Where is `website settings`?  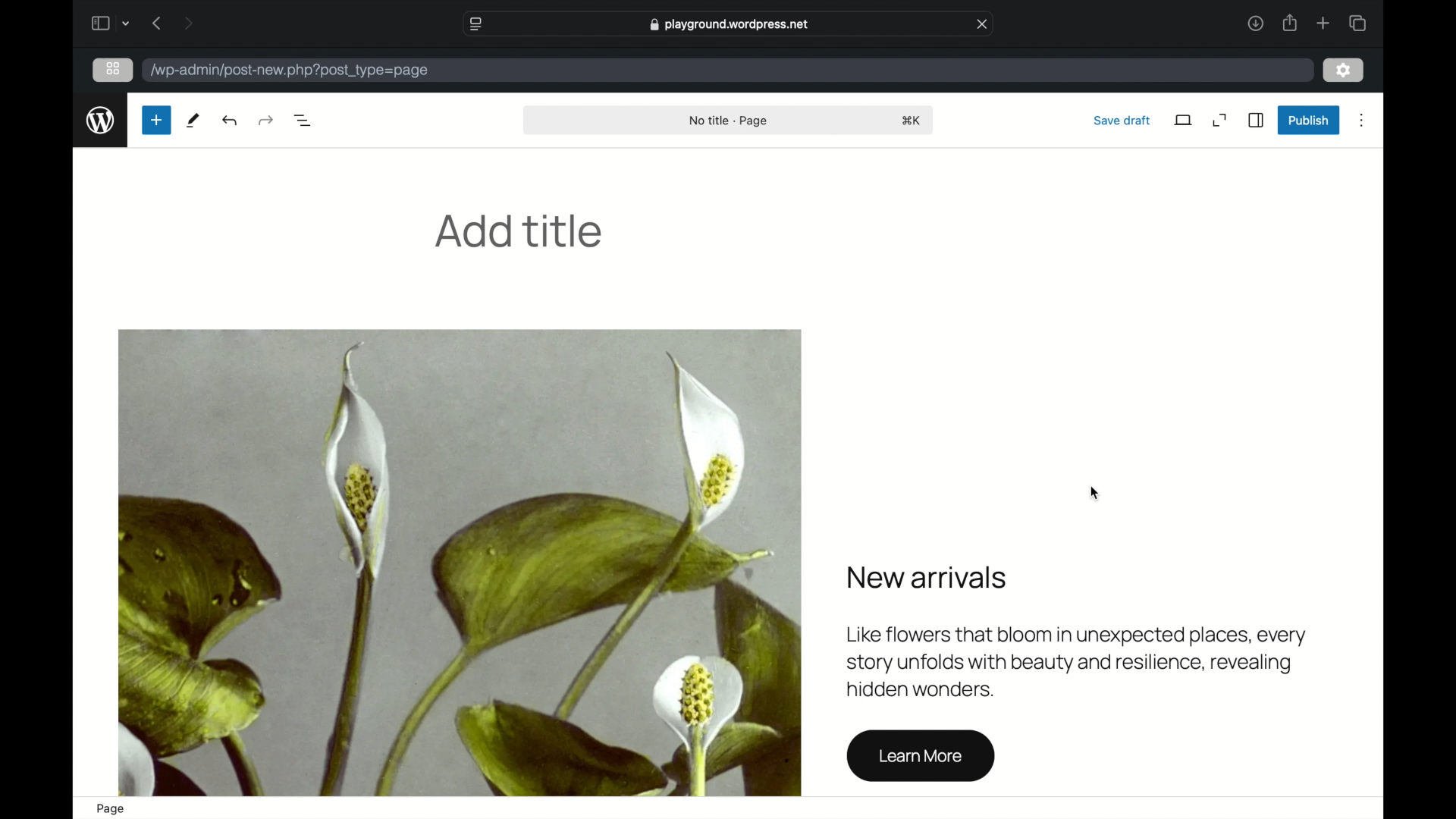
website settings is located at coordinates (475, 23).